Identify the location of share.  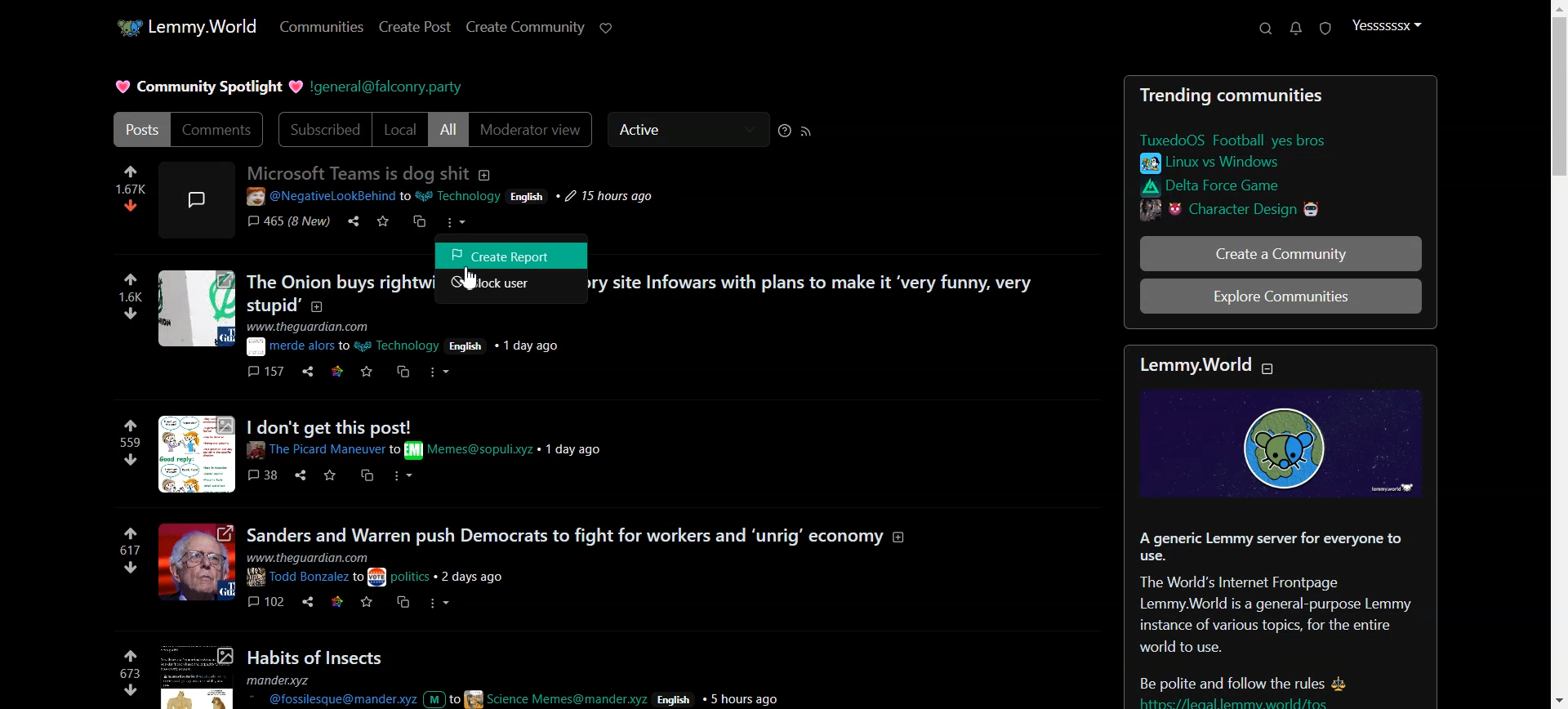
(308, 600).